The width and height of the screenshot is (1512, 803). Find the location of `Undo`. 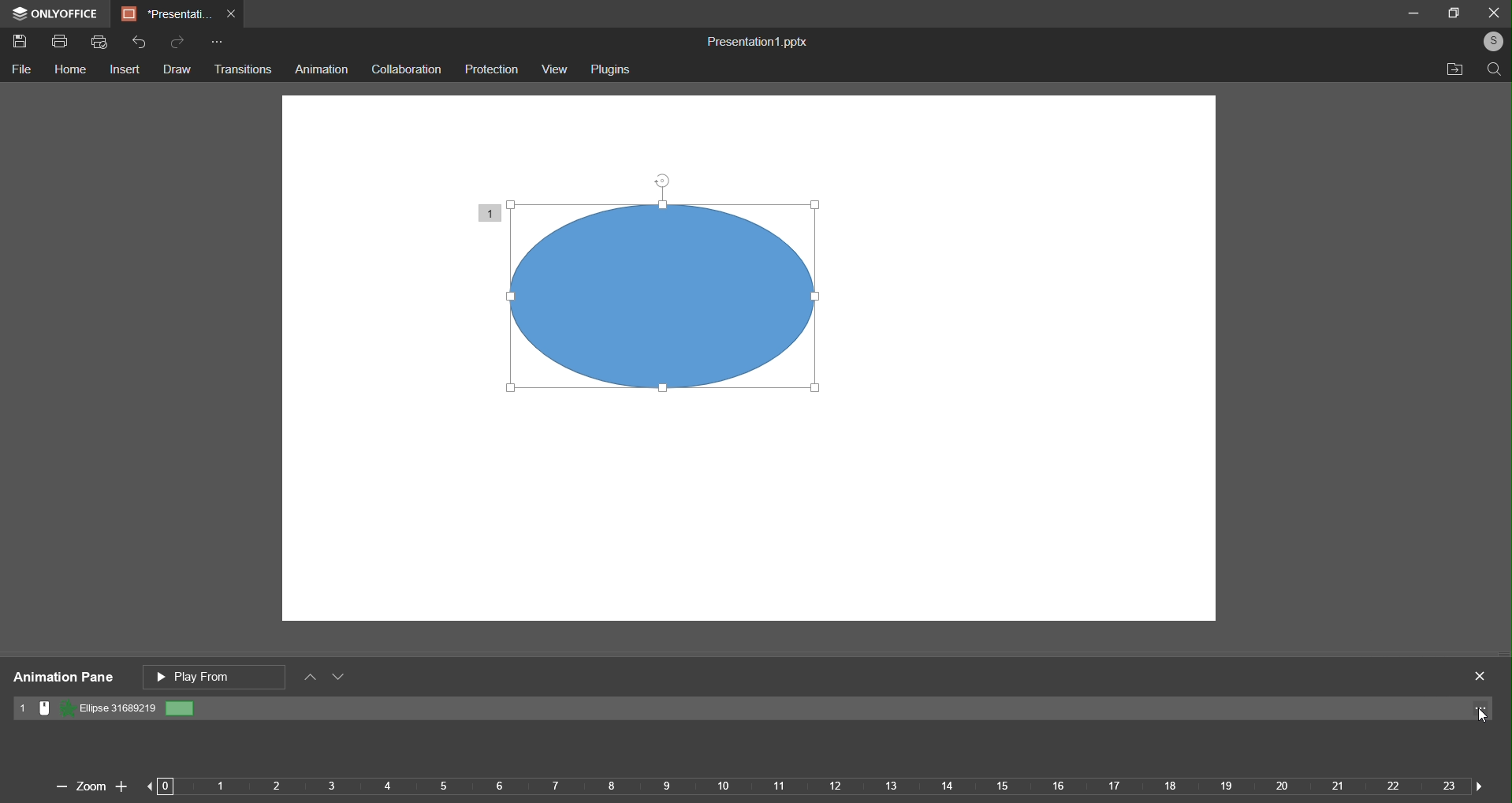

Undo is located at coordinates (141, 43).